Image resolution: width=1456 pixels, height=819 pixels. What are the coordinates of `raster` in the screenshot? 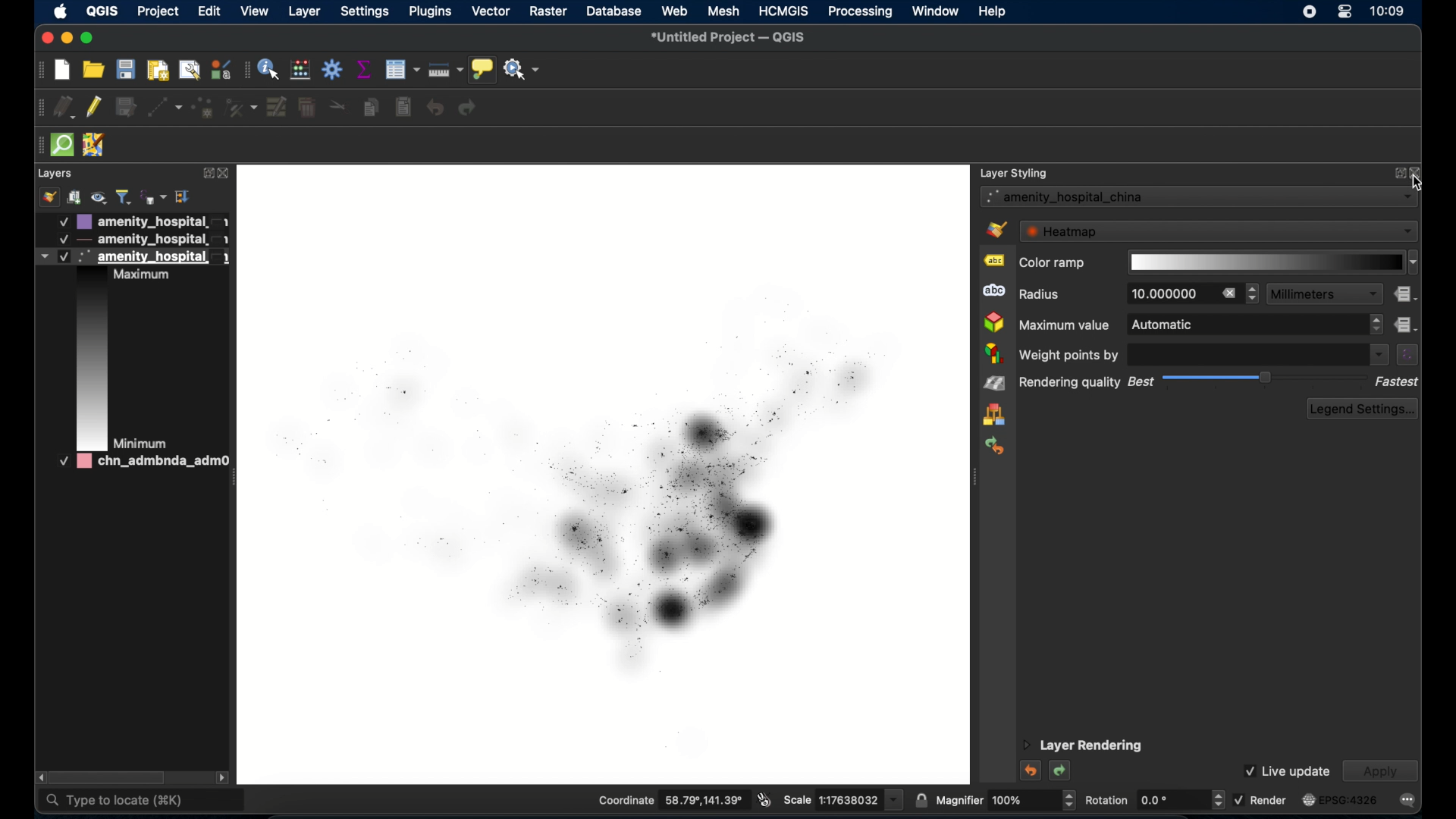 It's located at (548, 11).